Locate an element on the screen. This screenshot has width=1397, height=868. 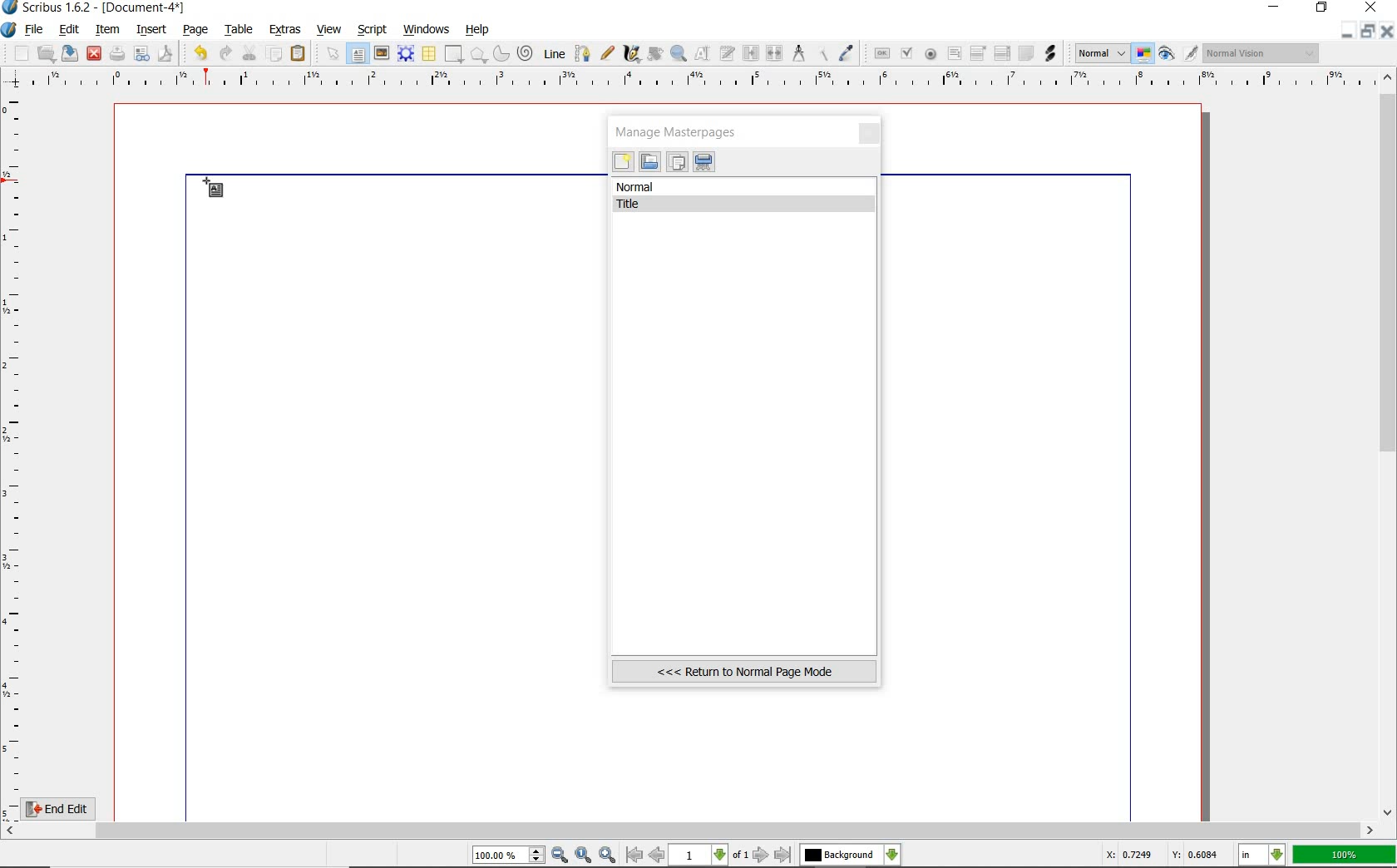
spiral is located at coordinates (526, 53).